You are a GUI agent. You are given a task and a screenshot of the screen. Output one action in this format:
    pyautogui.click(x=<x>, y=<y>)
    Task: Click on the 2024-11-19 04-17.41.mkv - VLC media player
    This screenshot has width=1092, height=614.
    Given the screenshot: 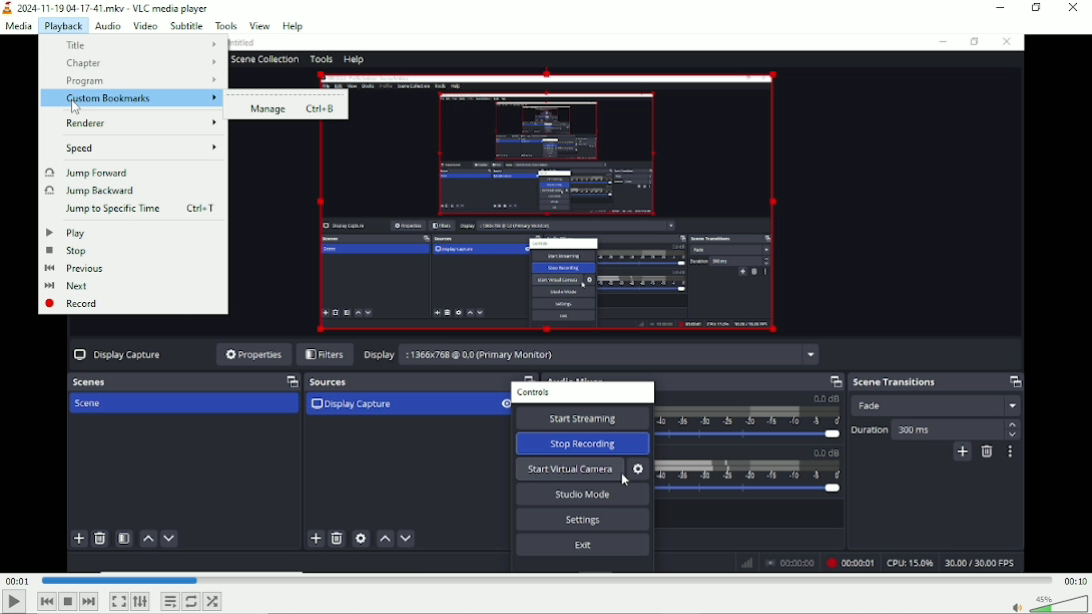 What is the action you would take?
    pyautogui.click(x=107, y=8)
    